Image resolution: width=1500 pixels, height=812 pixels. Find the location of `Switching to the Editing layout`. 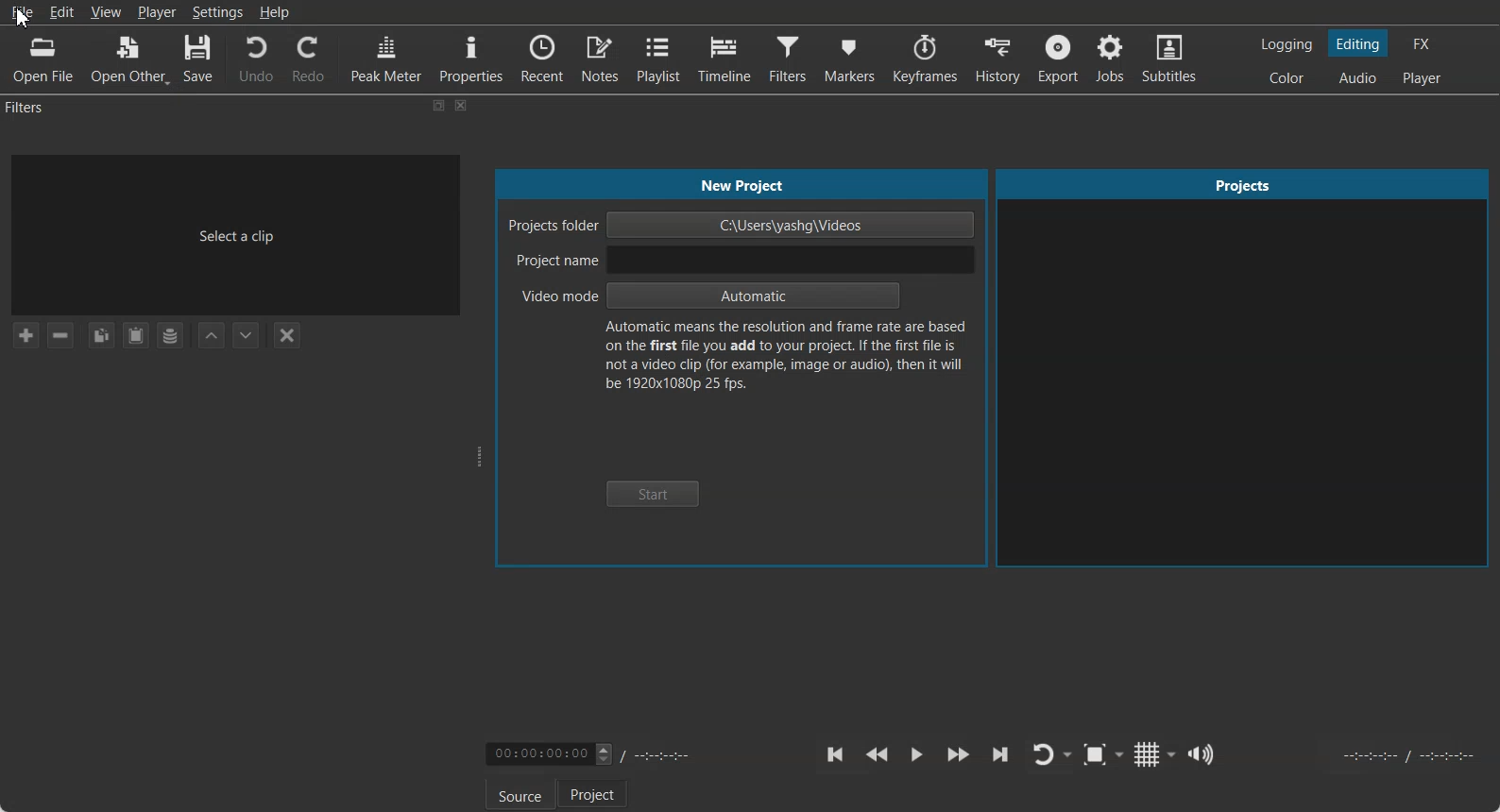

Switching to the Editing layout is located at coordinates (1358, 44).